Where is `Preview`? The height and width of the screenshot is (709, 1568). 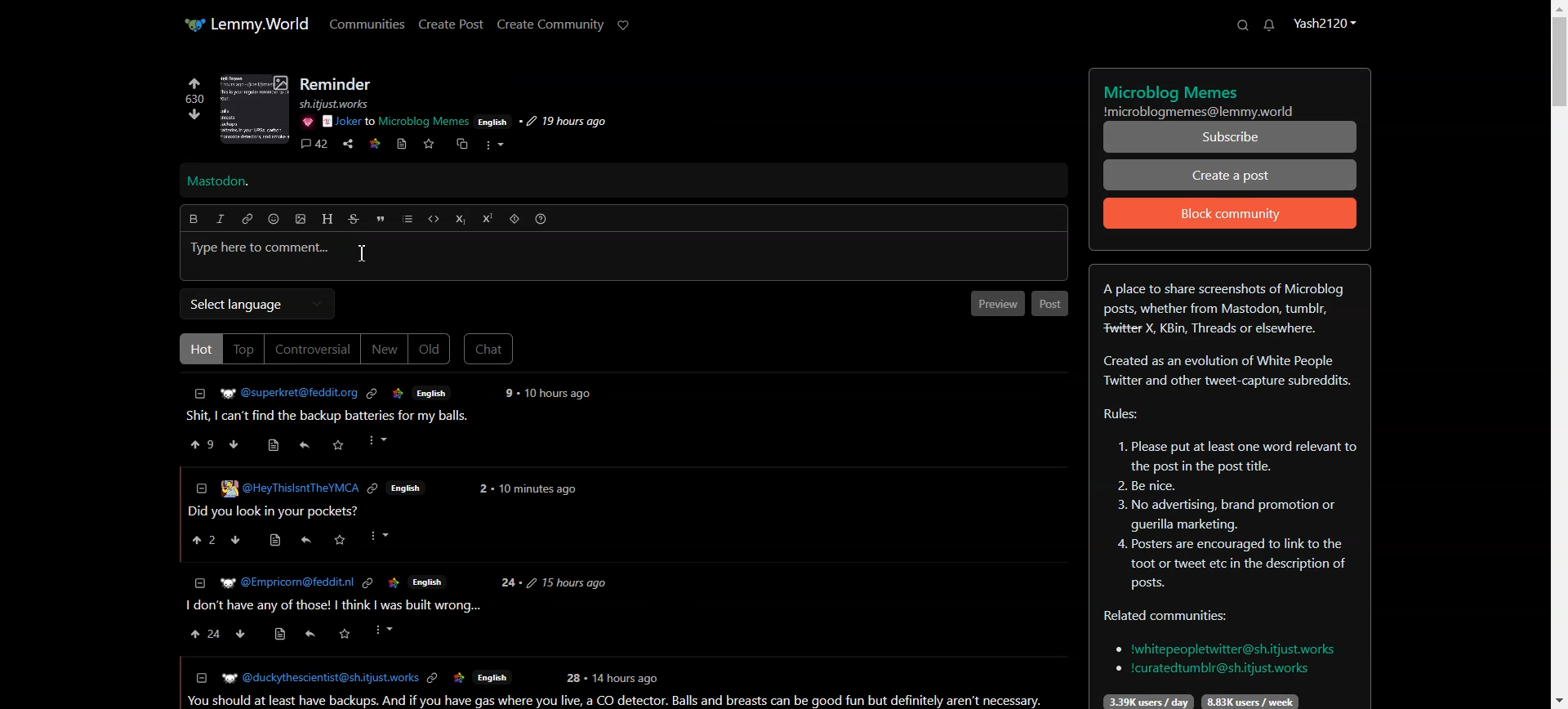
Preview is located at coordinates (996, 303).